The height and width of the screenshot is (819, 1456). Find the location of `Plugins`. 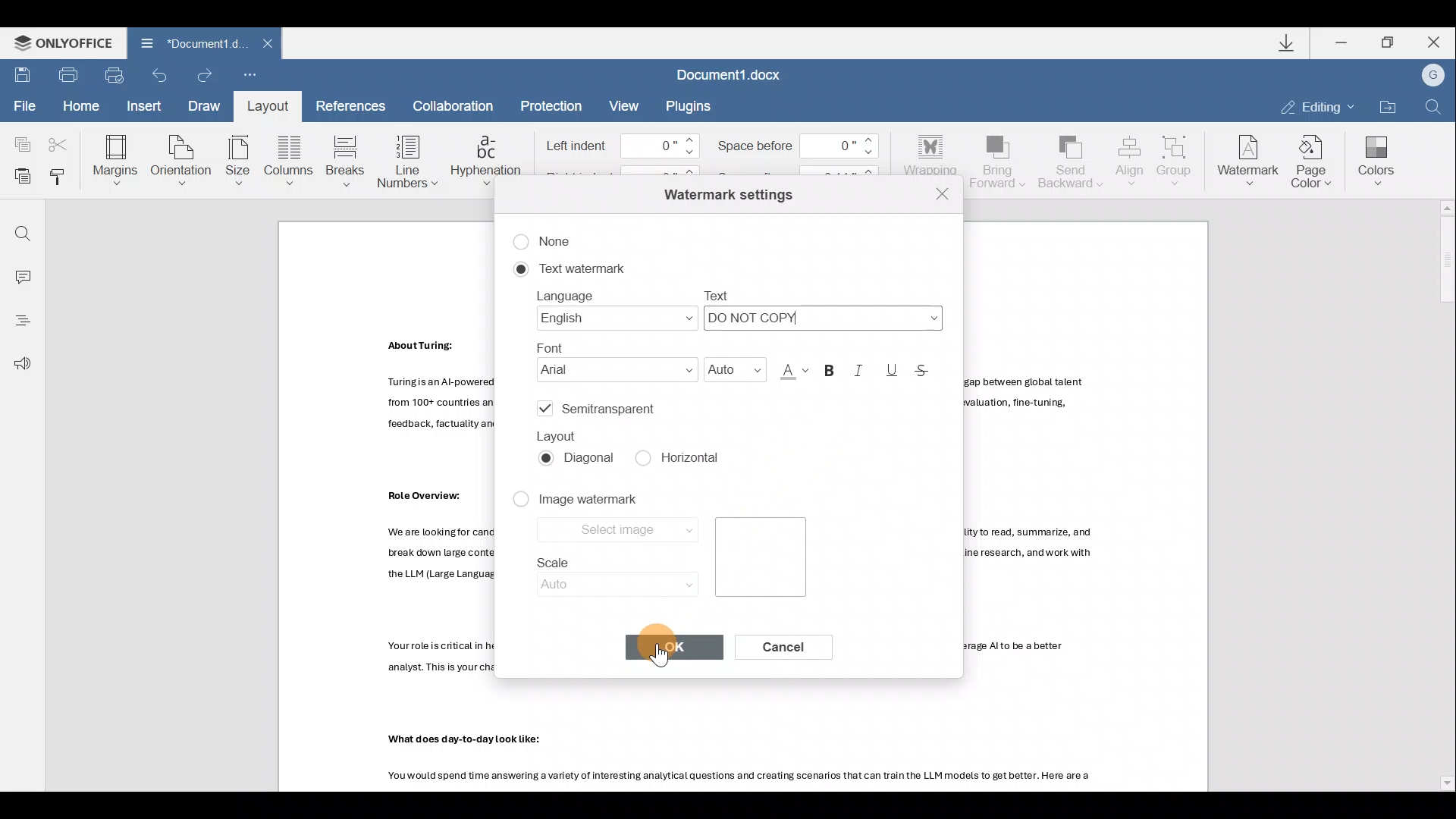

Plugins is located at coordinates (692, 106).